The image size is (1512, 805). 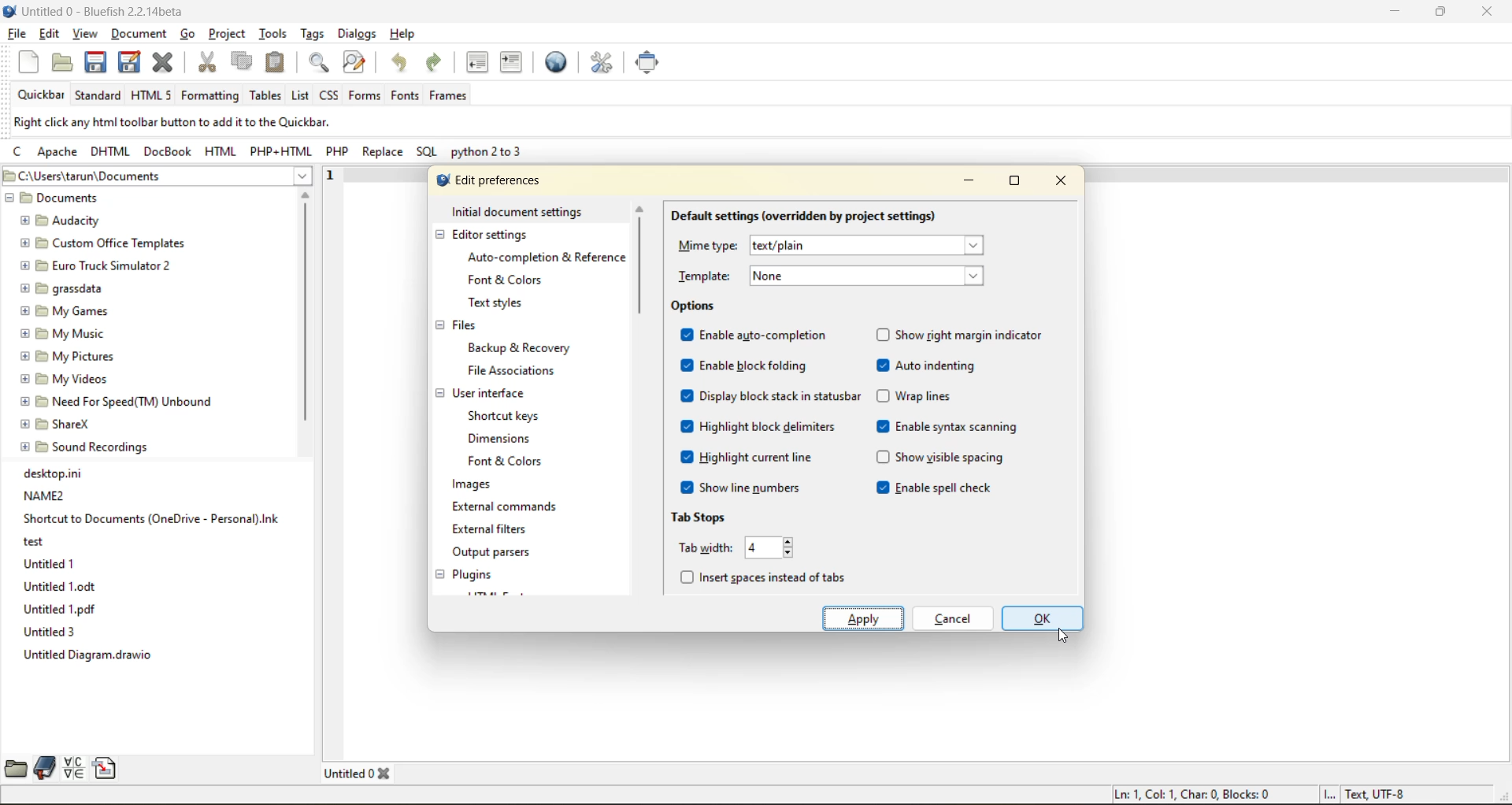 I want to click on minimize, so click(x=1390, y=13).